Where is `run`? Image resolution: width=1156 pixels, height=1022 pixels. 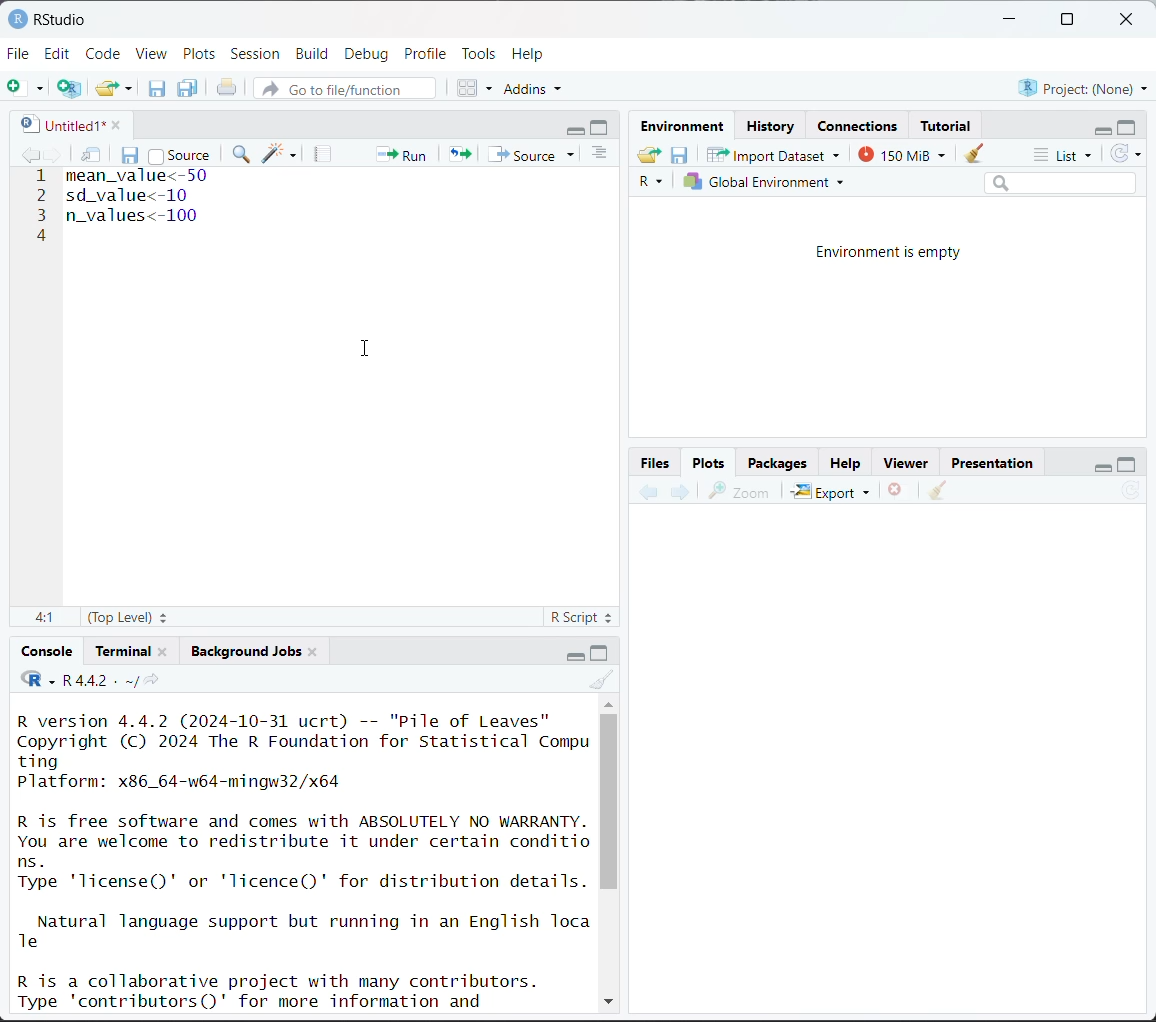 run is located at coordinates (399, 153).